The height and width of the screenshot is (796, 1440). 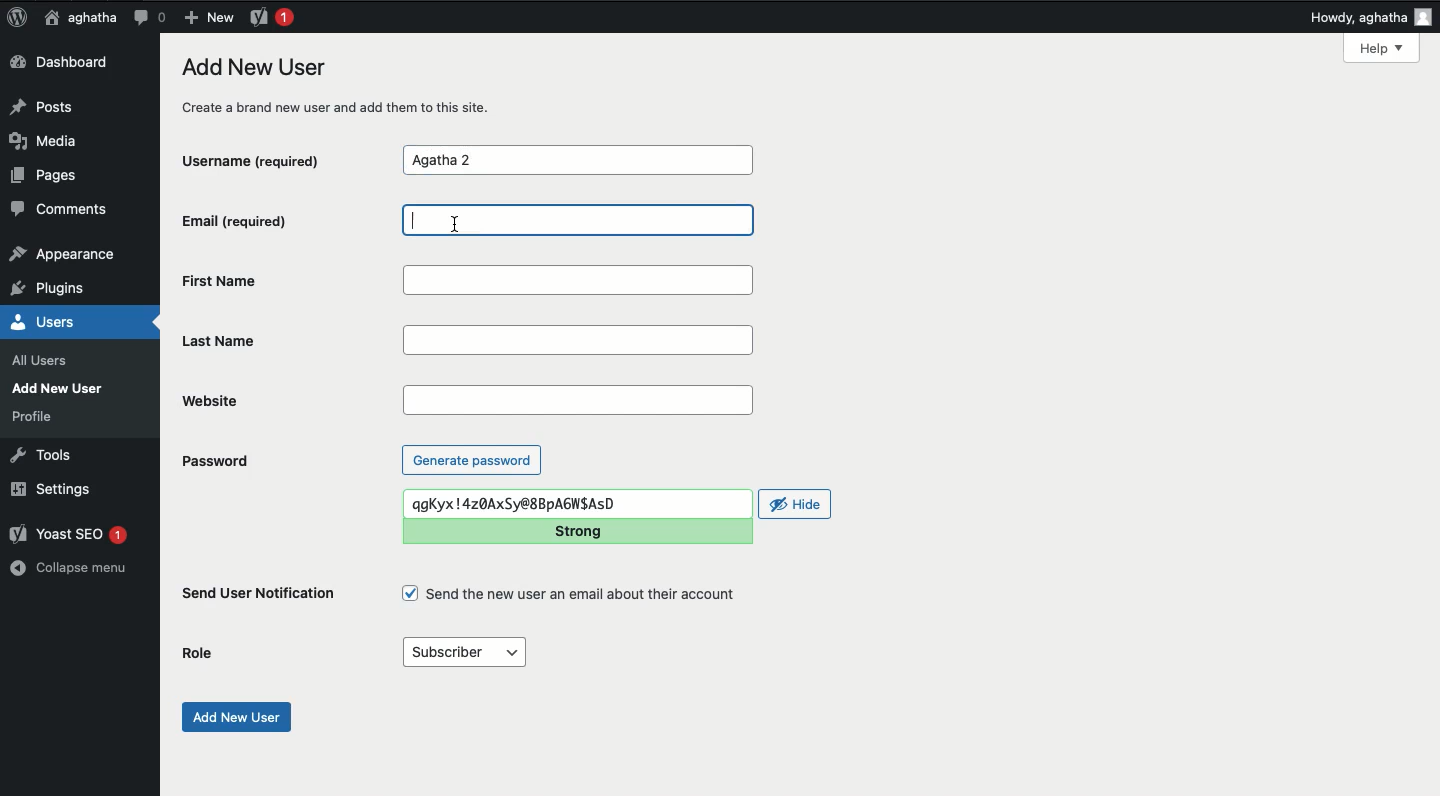 I want to click on Generate password, so click(x=472, y=459).